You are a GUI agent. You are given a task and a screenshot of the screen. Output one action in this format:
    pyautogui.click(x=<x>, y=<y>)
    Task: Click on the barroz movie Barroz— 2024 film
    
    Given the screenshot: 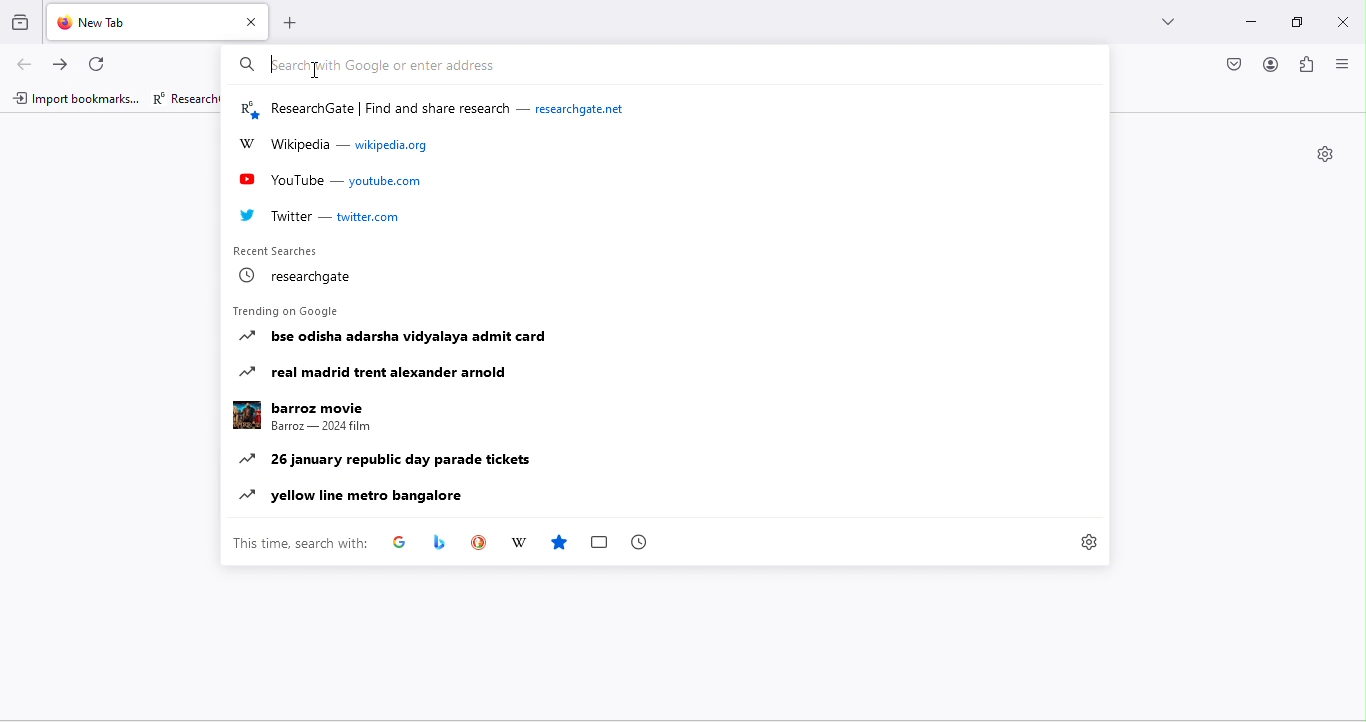 What is the action you would take?
    pyautogui.click(x=307, y=416)
    